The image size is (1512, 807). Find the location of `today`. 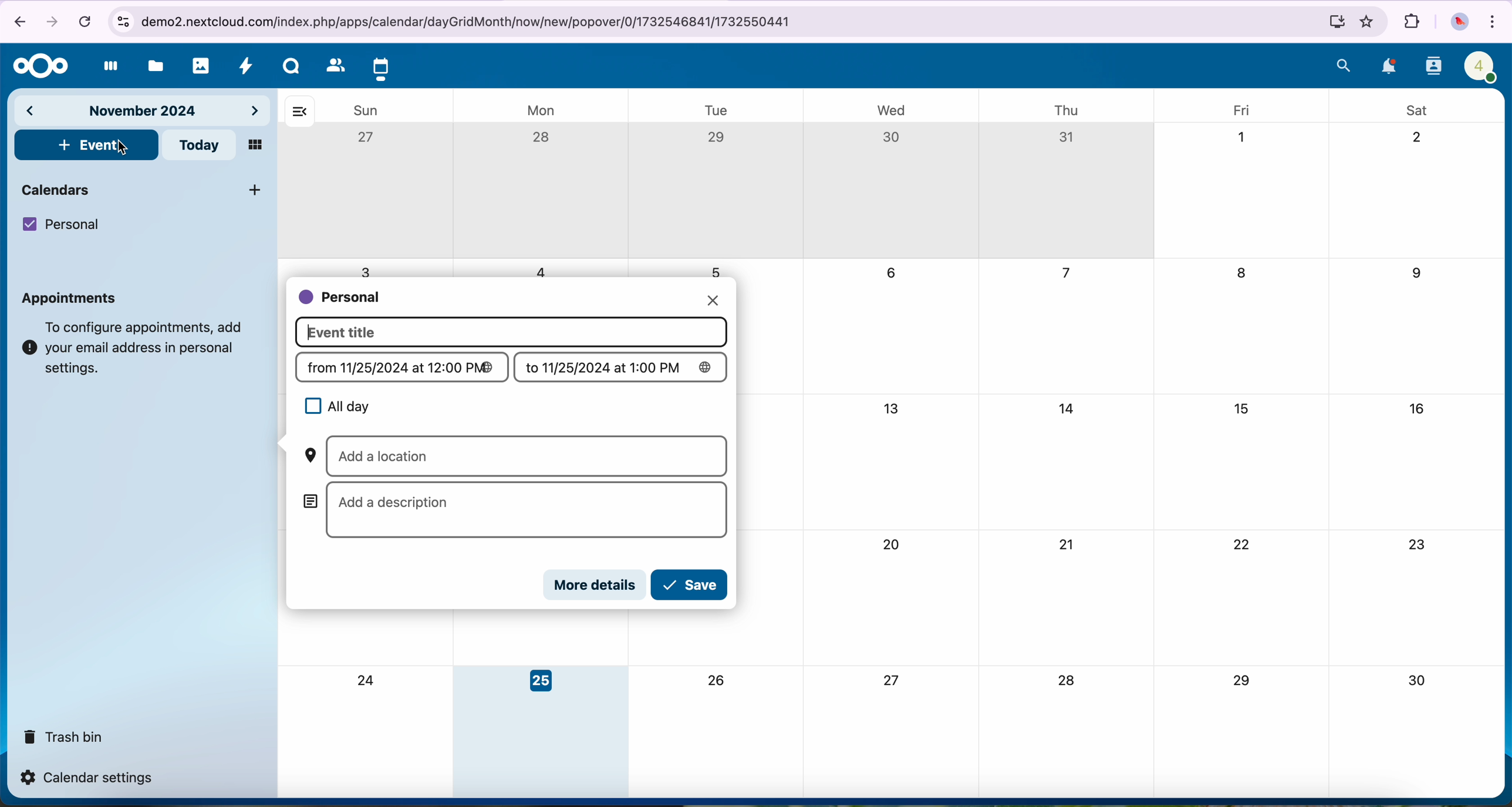

today is located at coordinates (198, 146).